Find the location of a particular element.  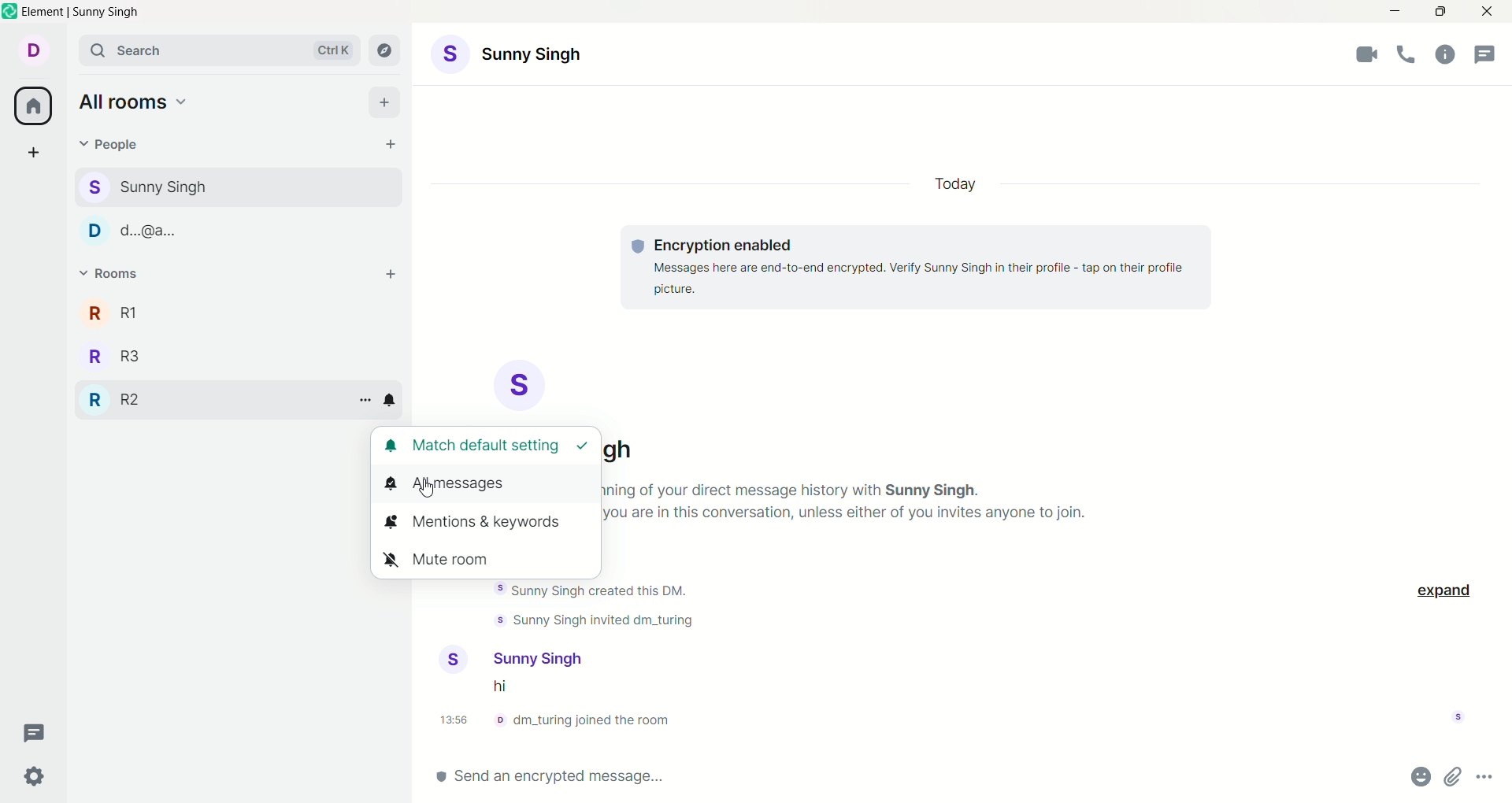

exxpand is located at coordinates (1445, 589).